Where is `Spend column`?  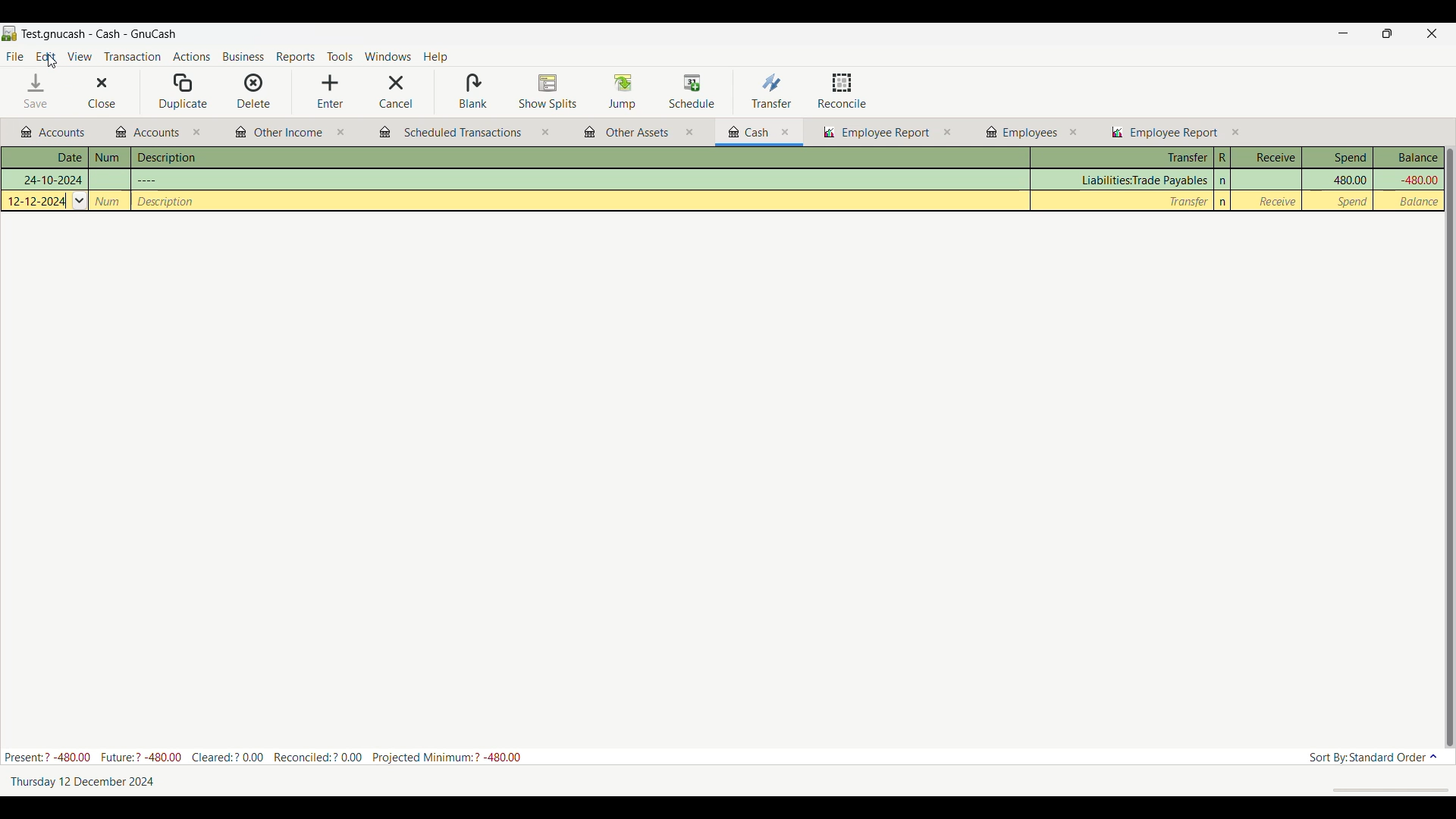 Spend column is located at coordinates (1354, 201).